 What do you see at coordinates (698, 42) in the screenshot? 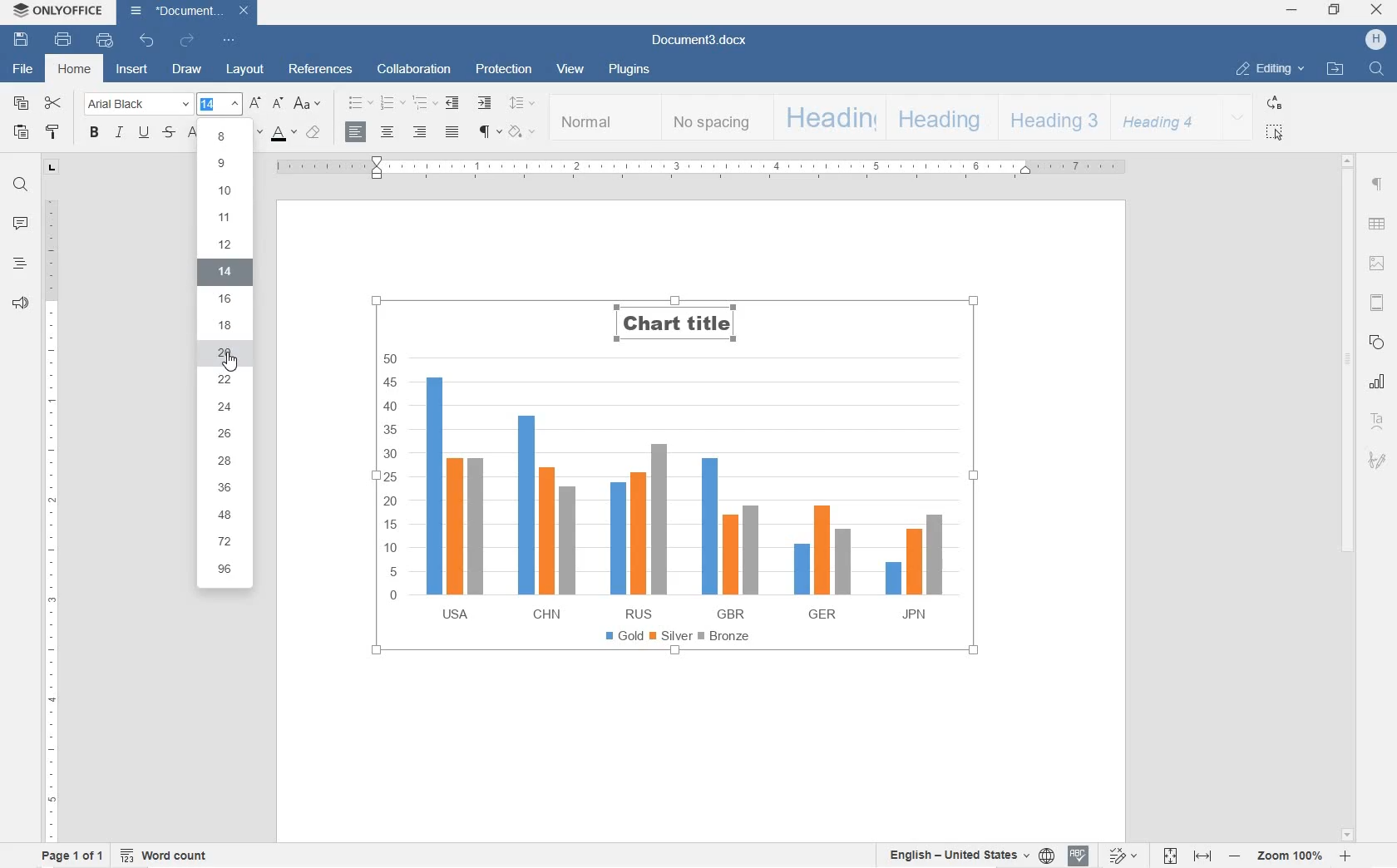
I see `Document3.docx` at bounding box center [698, 42].